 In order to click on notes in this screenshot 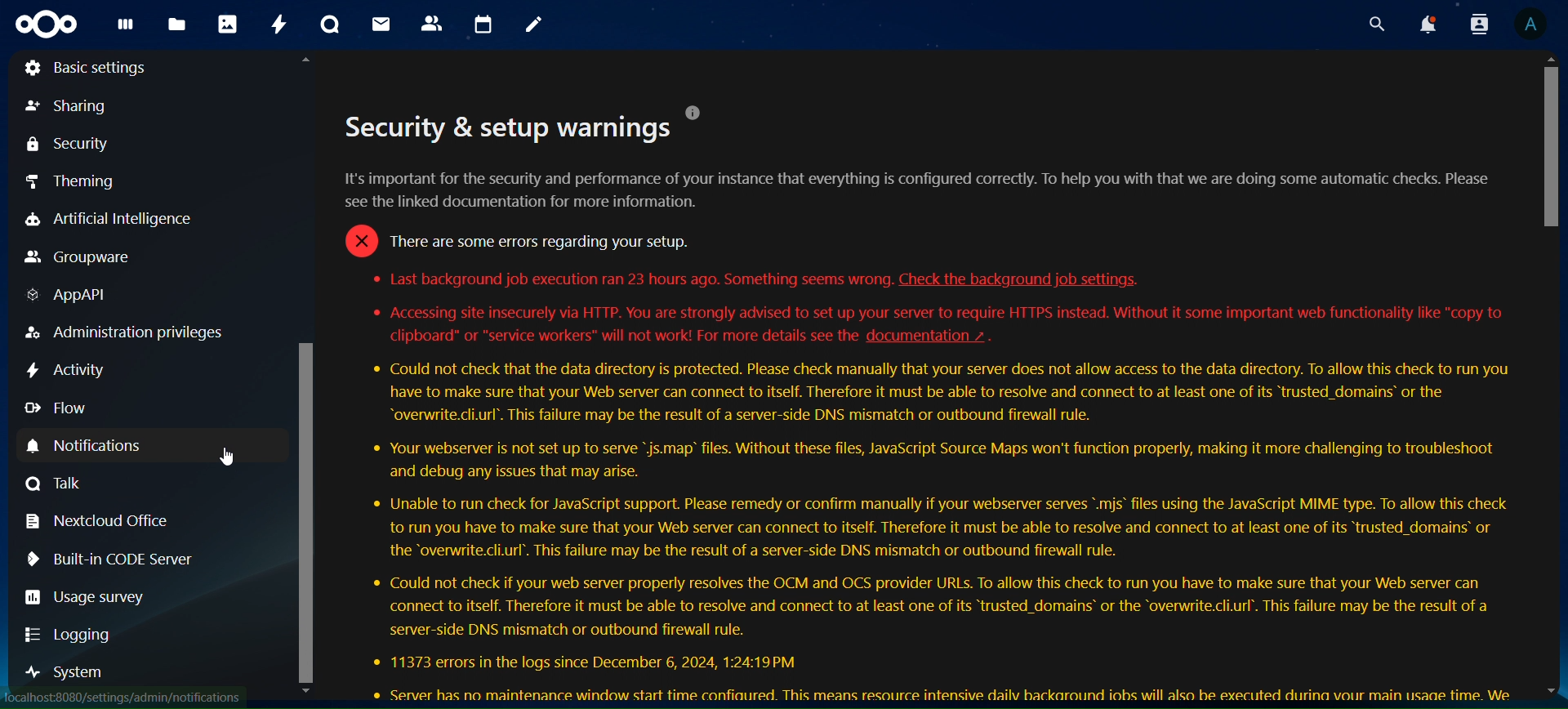, I will do `click(534, 24)`.